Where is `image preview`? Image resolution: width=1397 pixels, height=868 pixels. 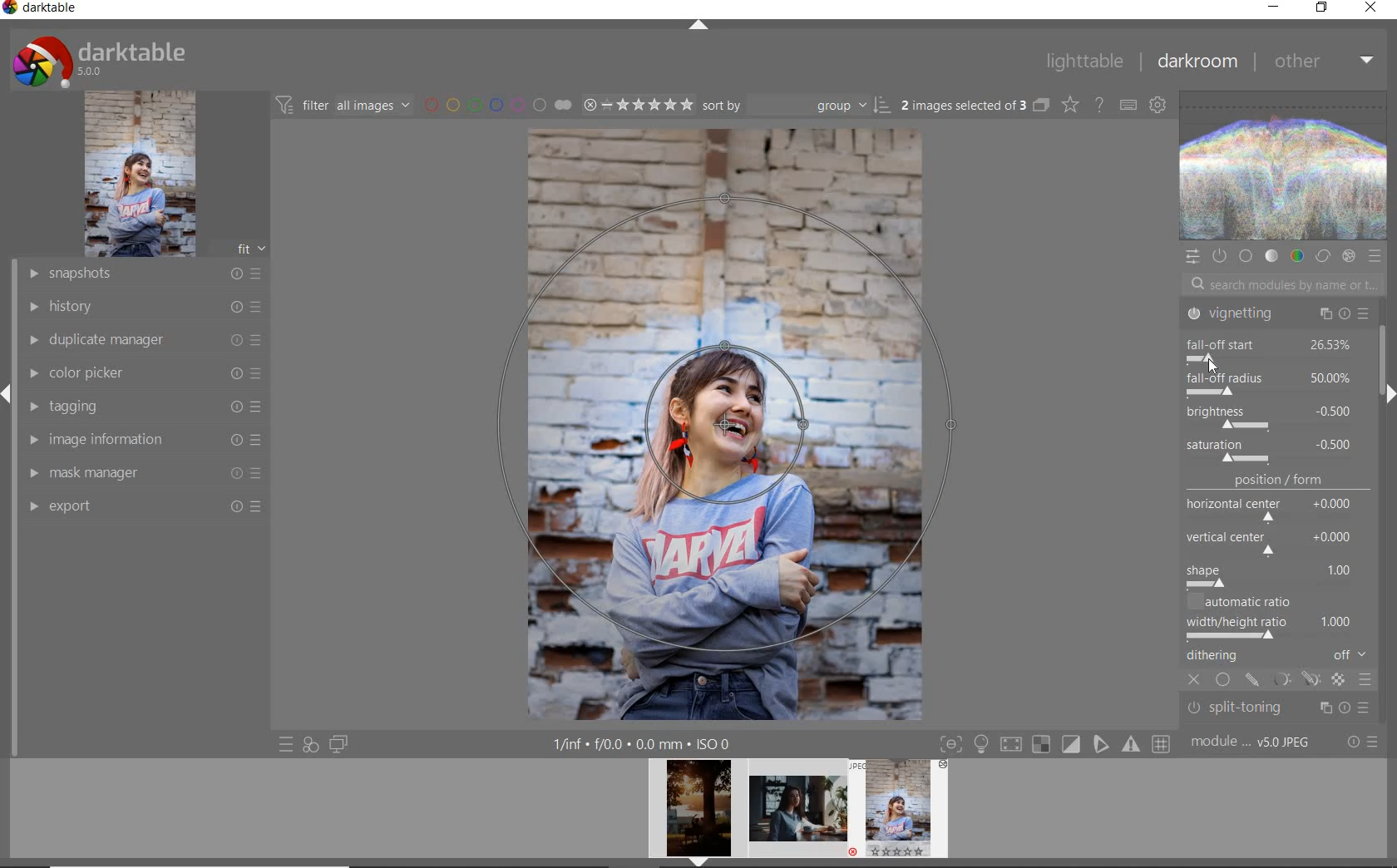 image preview is located at coordinates (904, 813).